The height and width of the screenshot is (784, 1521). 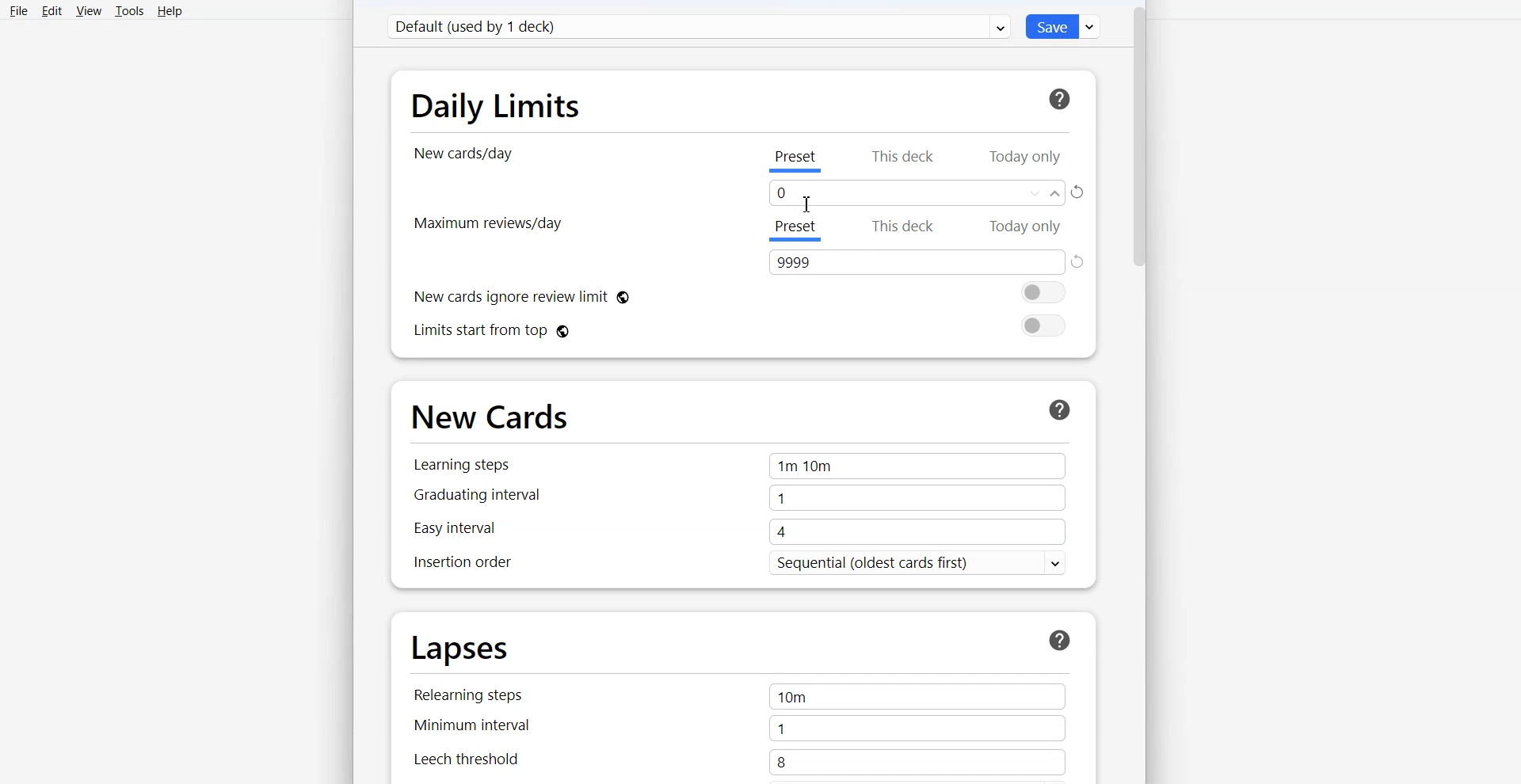 I want to click on Today only, so click(x=1025, y=158).